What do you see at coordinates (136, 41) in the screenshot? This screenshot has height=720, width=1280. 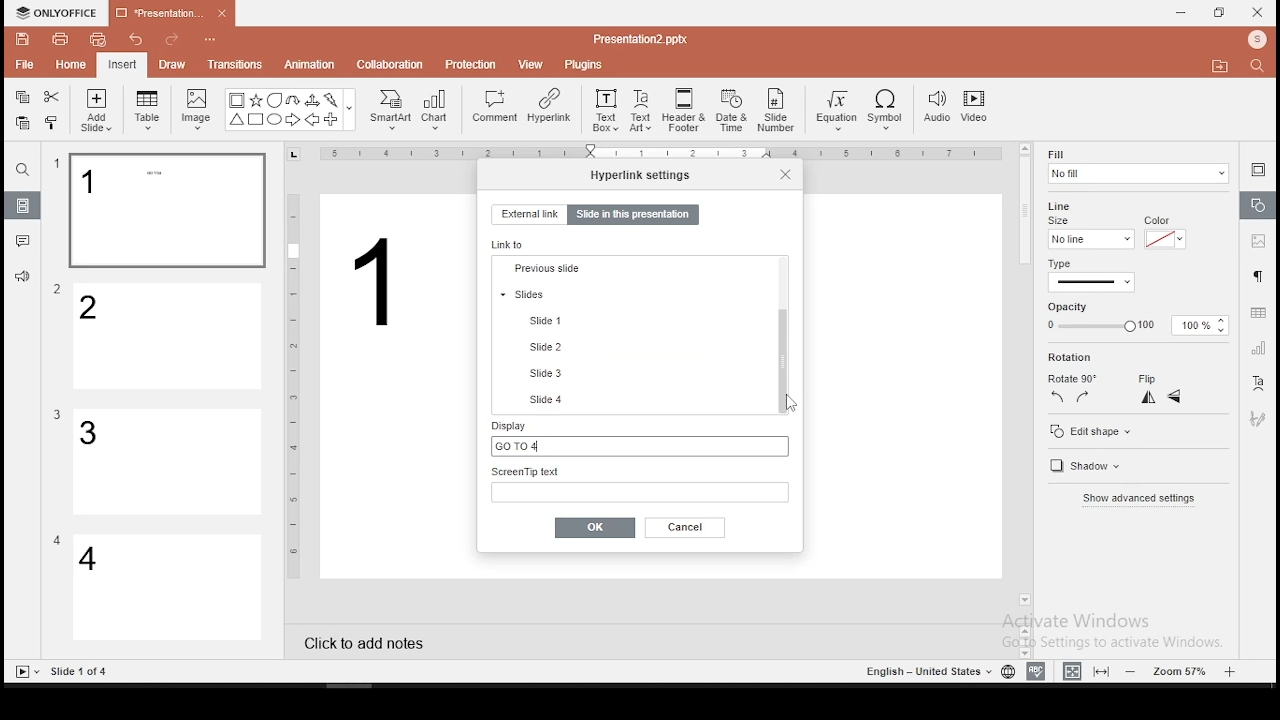 I see `undo` at bounding box center [136, 41].